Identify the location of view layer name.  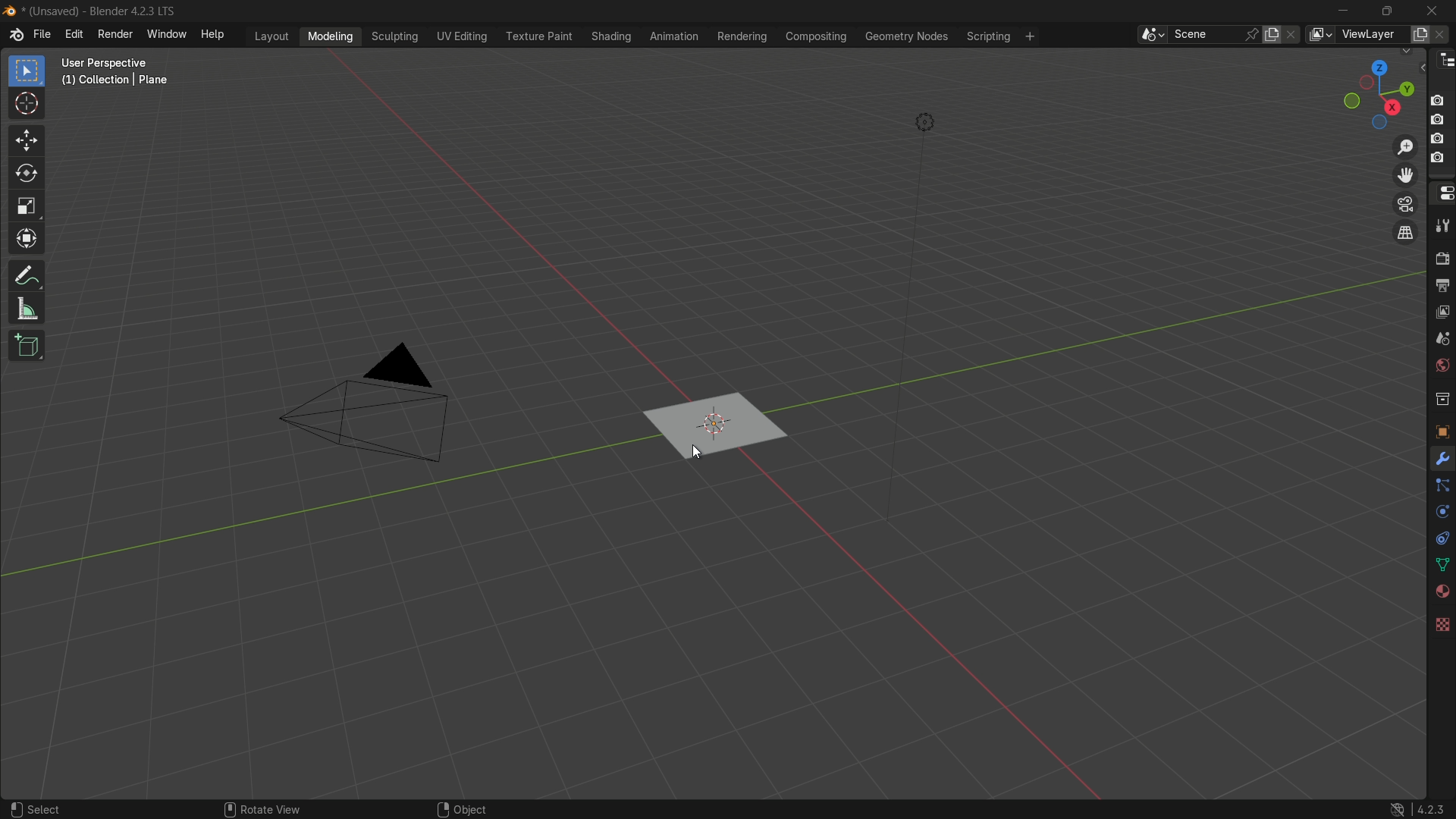
(1372, 33).